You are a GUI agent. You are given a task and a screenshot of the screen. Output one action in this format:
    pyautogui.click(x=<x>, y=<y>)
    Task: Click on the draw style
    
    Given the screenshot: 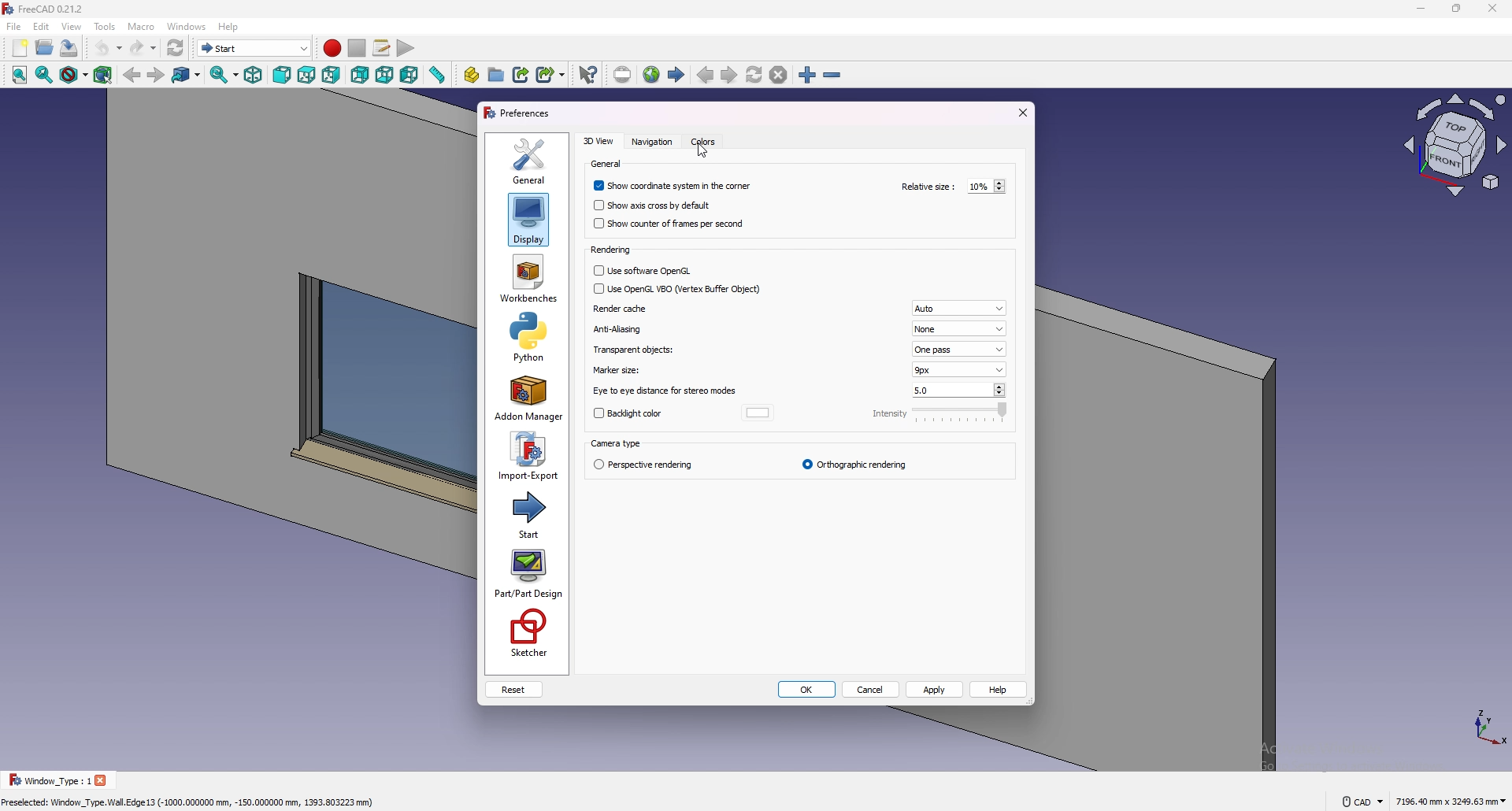 What is the action you would take?
    pyautogui.click(x=74, y=76)
    